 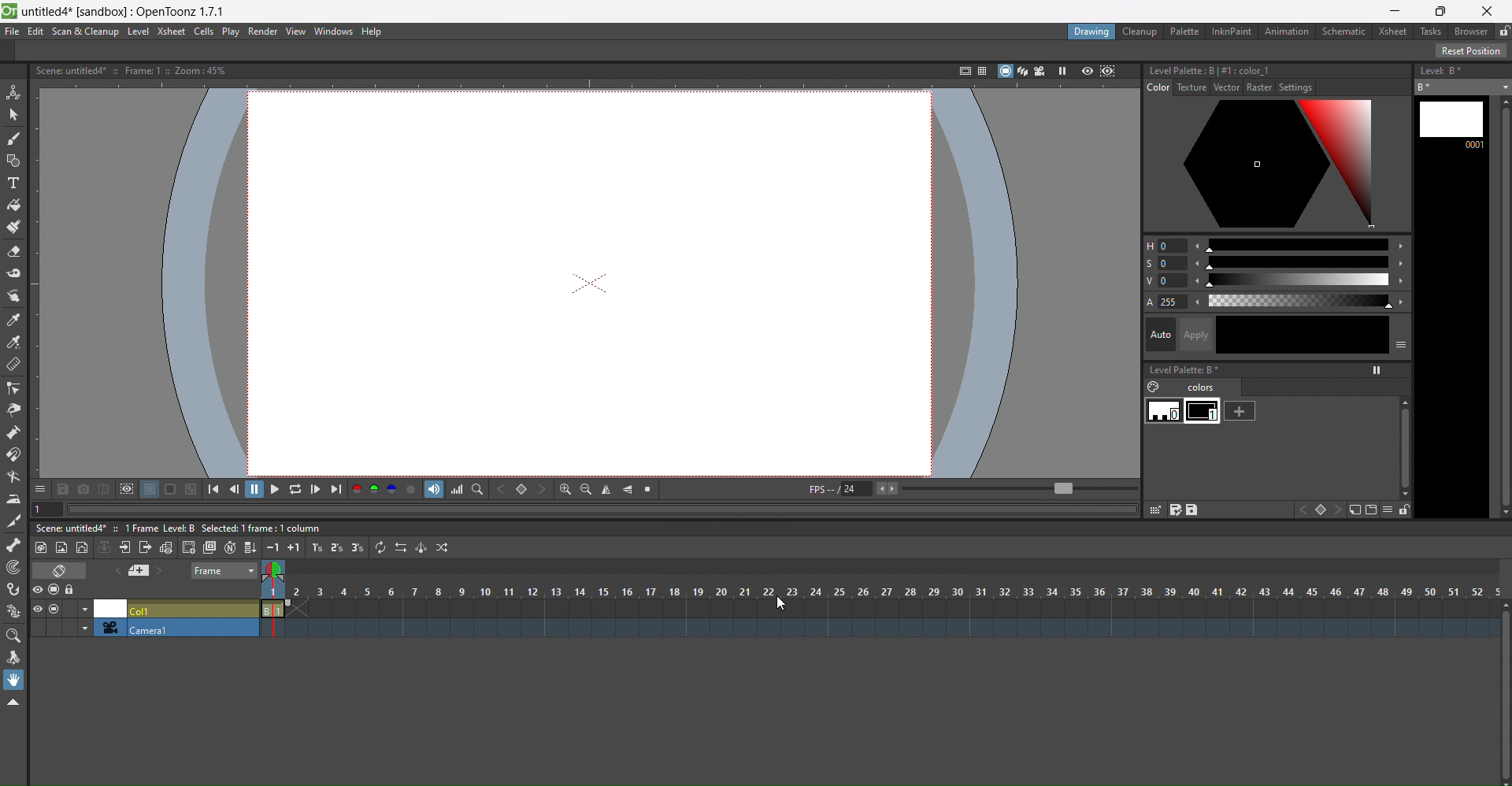 What do you see at coordinates (188, 547) in the screenshot?
I see `create blank drawing` at bounding box center [188, 547].